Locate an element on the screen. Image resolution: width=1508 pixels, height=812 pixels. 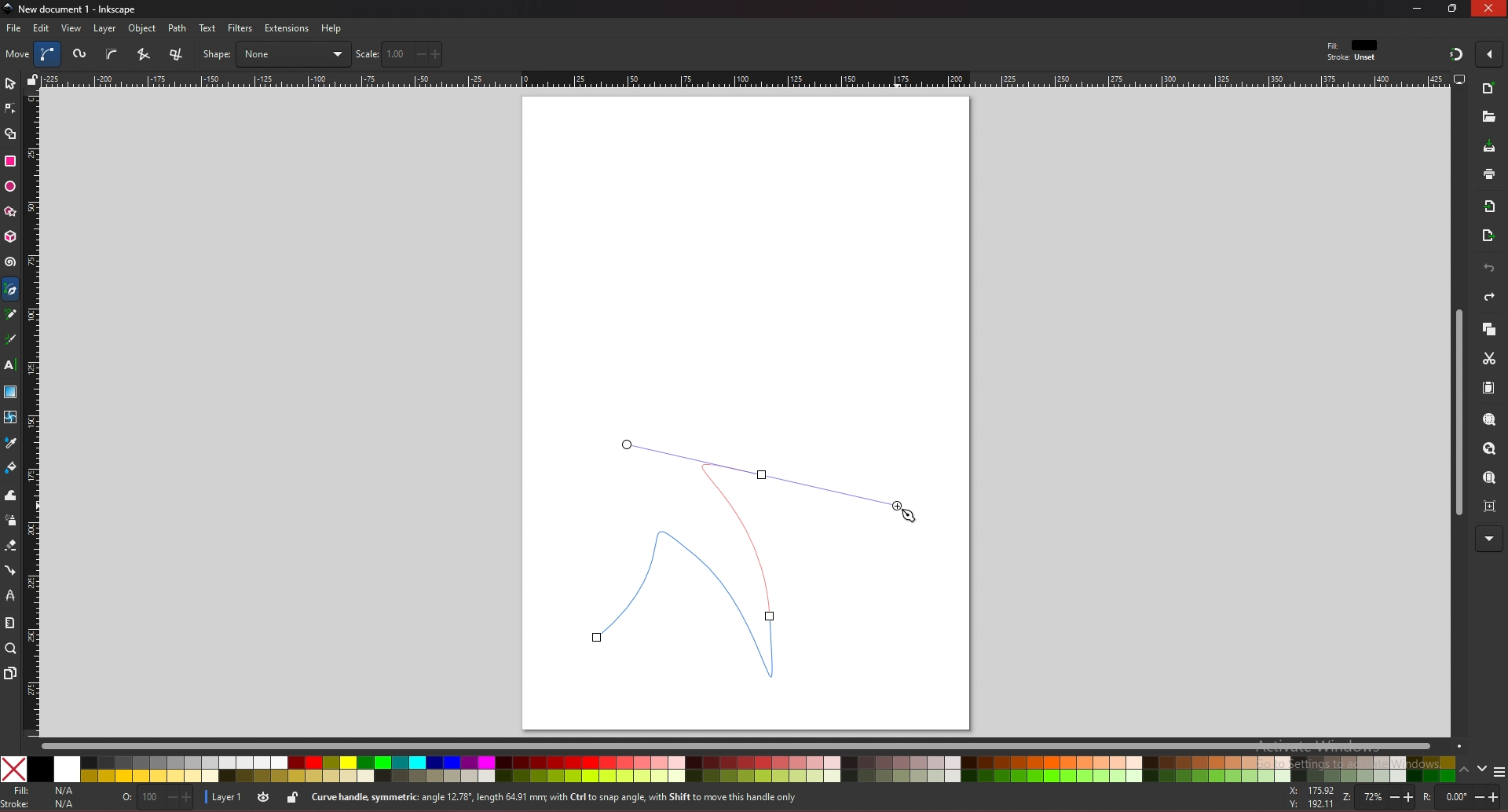
zoom is located at coordinates (11, 648).